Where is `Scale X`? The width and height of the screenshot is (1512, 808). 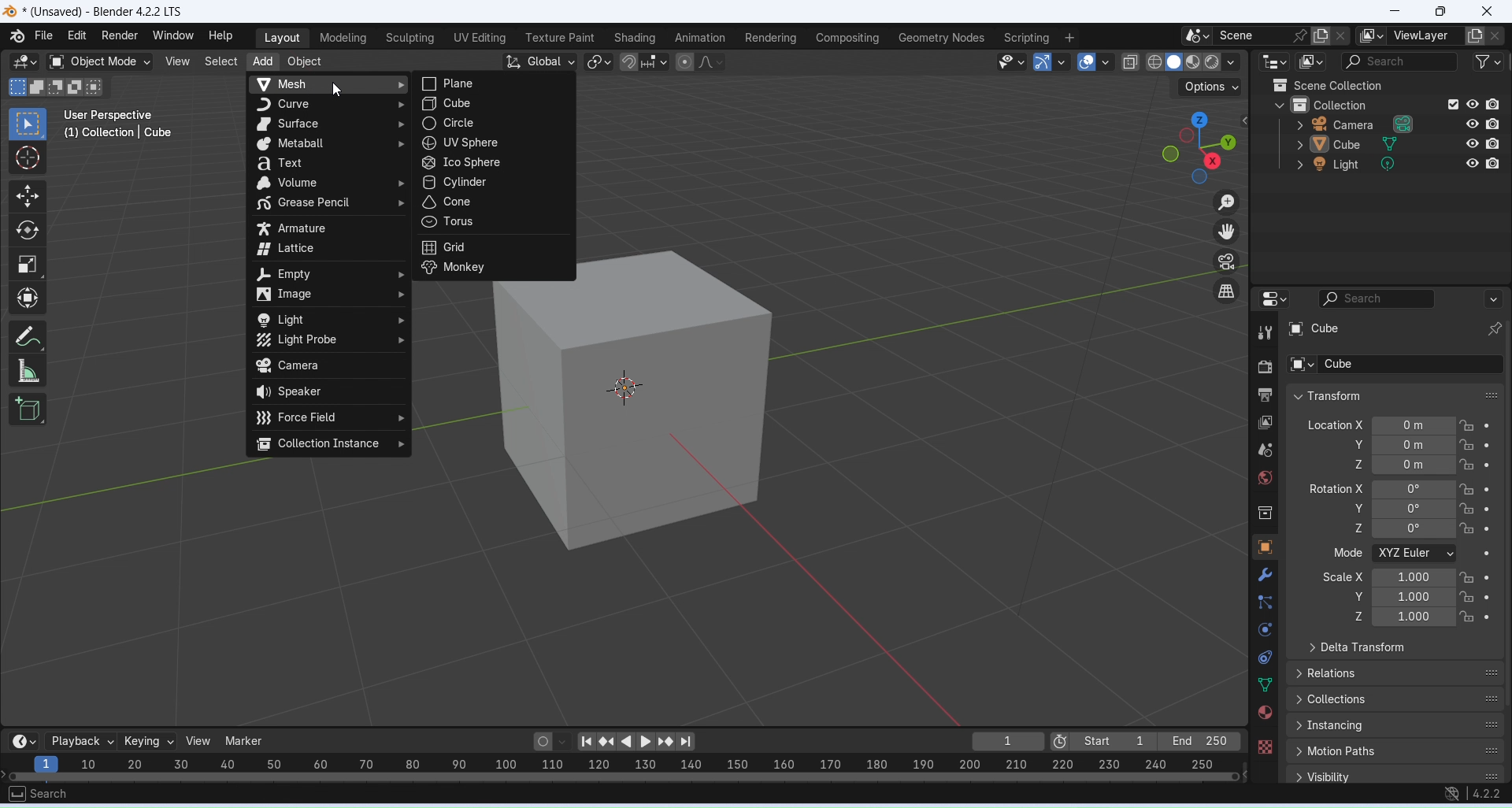 Scale X is located at coordinates (1432, 578).